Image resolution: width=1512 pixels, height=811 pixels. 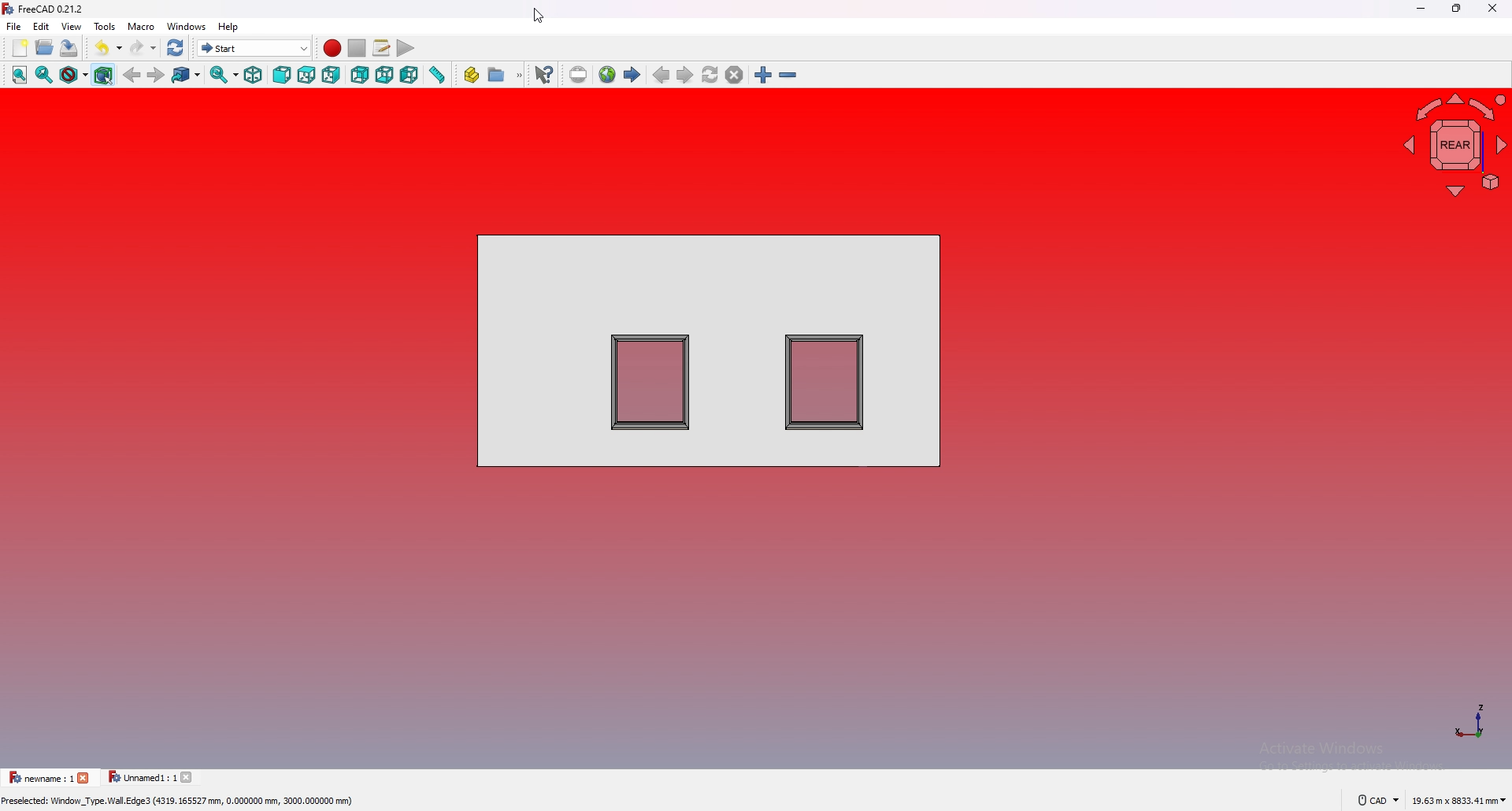 I want to click on what's that, so click(x=543, y=75).